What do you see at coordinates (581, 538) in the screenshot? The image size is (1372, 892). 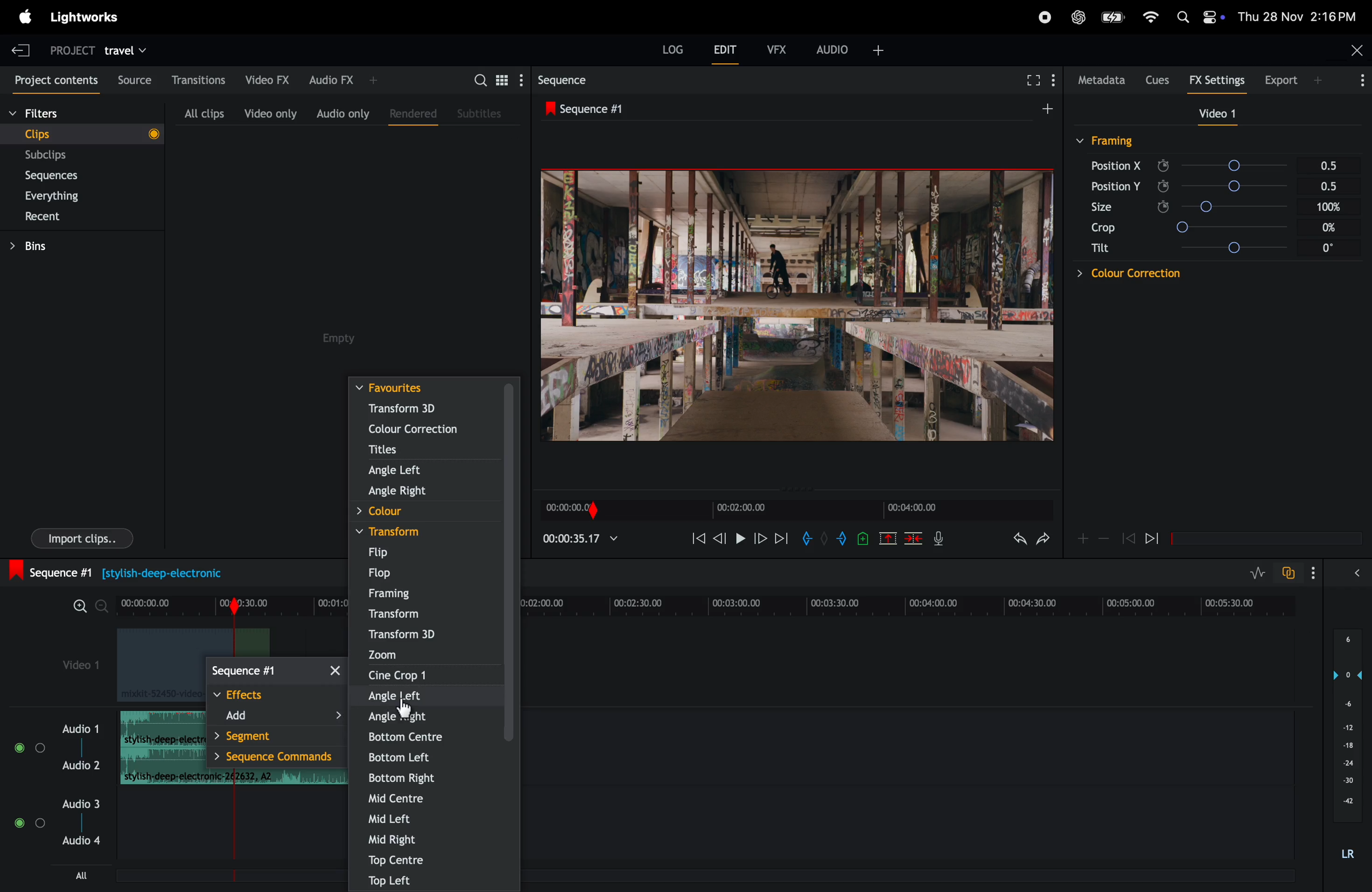 I see `play time` at bounding box center [581, 538].